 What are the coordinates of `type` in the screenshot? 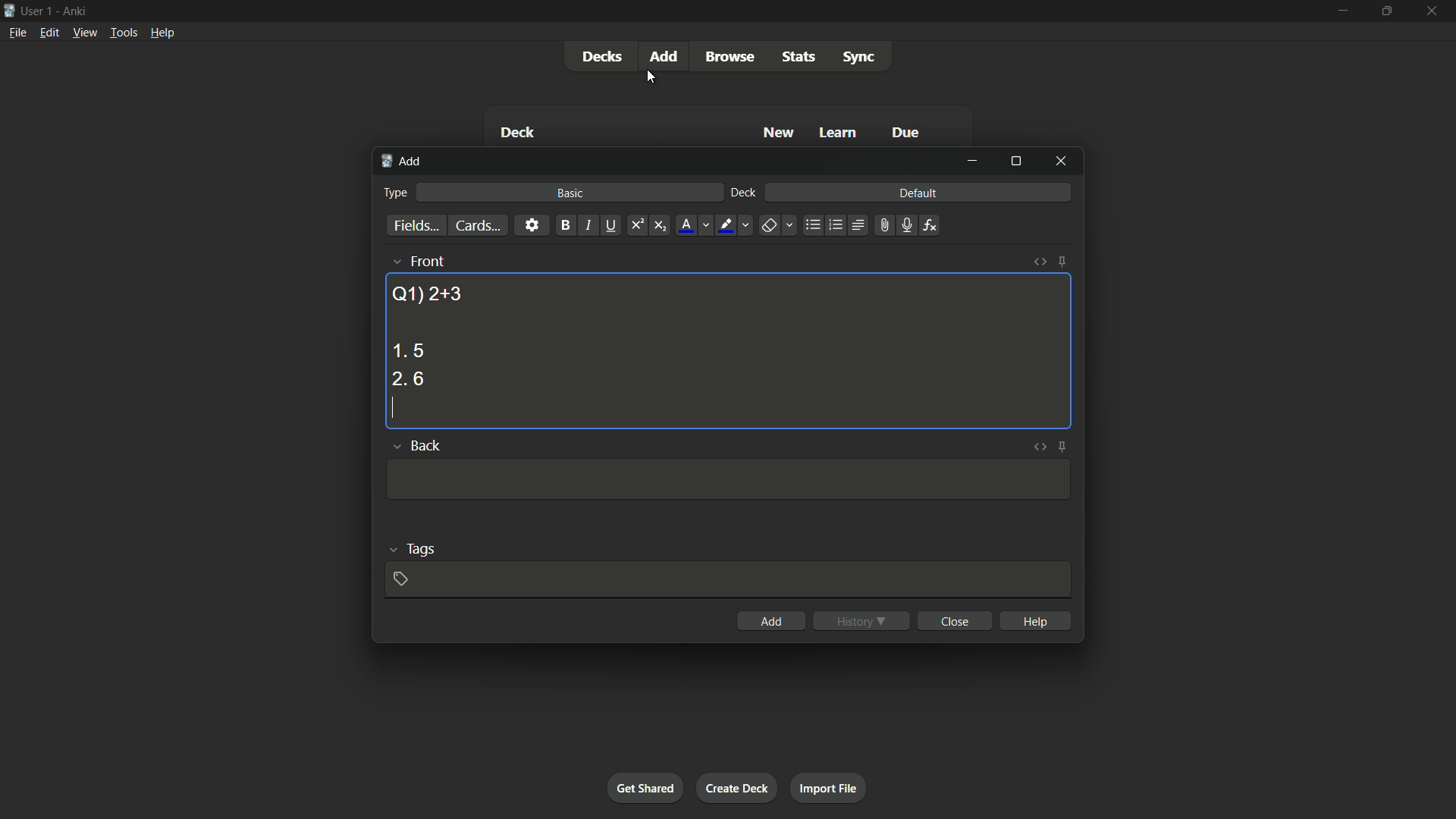 It's located at (394, 193).